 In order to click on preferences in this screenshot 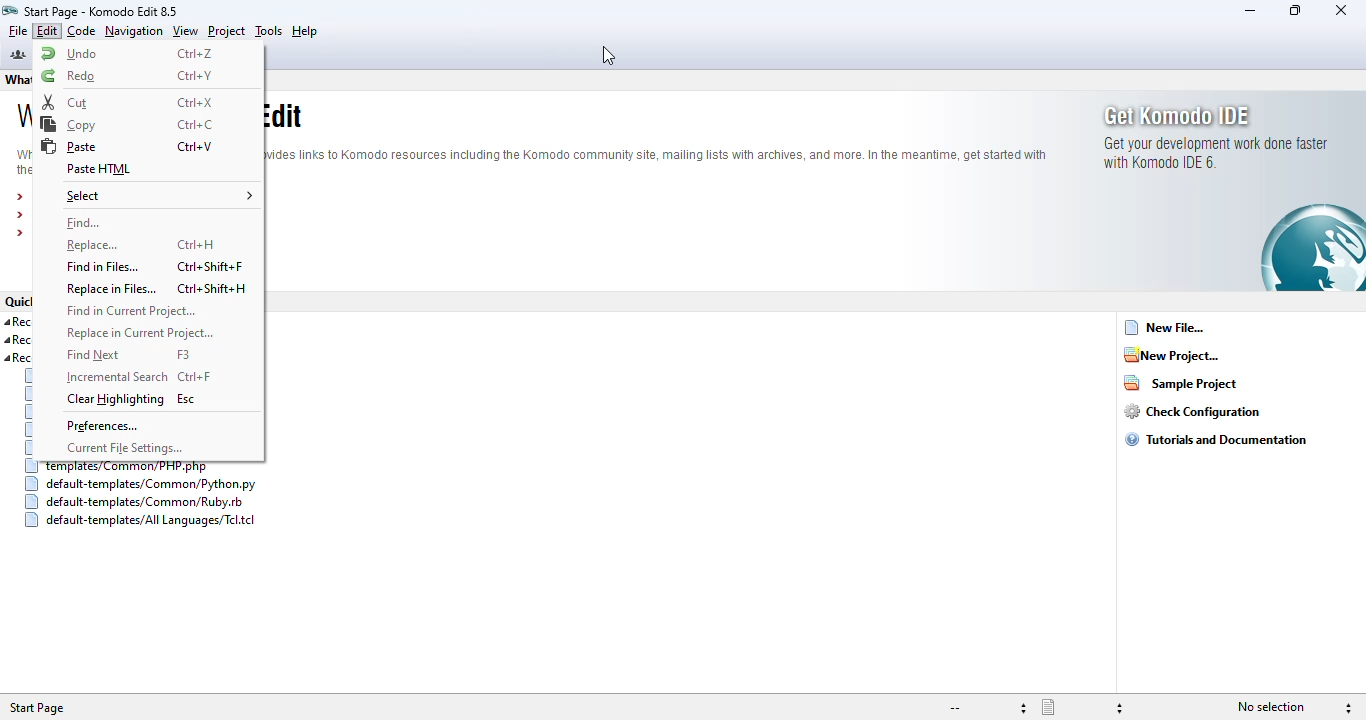, I will do `click(102, 425)`.